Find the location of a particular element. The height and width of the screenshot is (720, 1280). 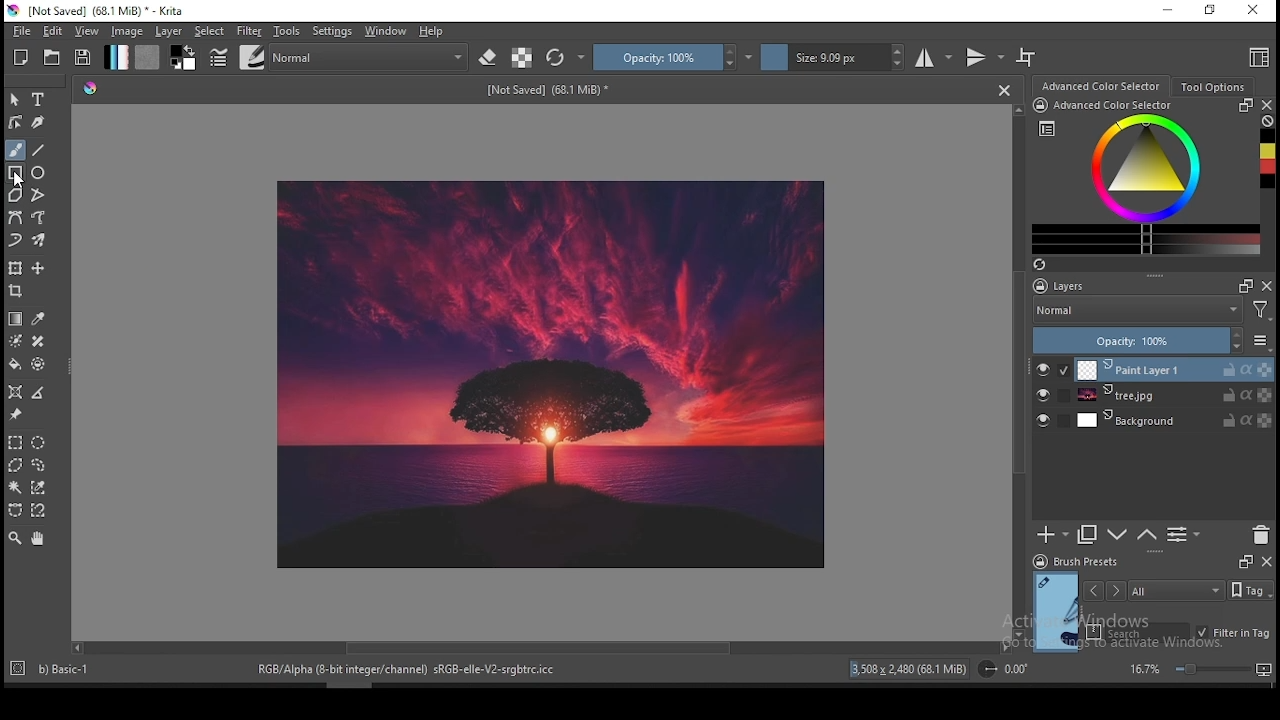

pan tool is located at coordinates (37, 540).